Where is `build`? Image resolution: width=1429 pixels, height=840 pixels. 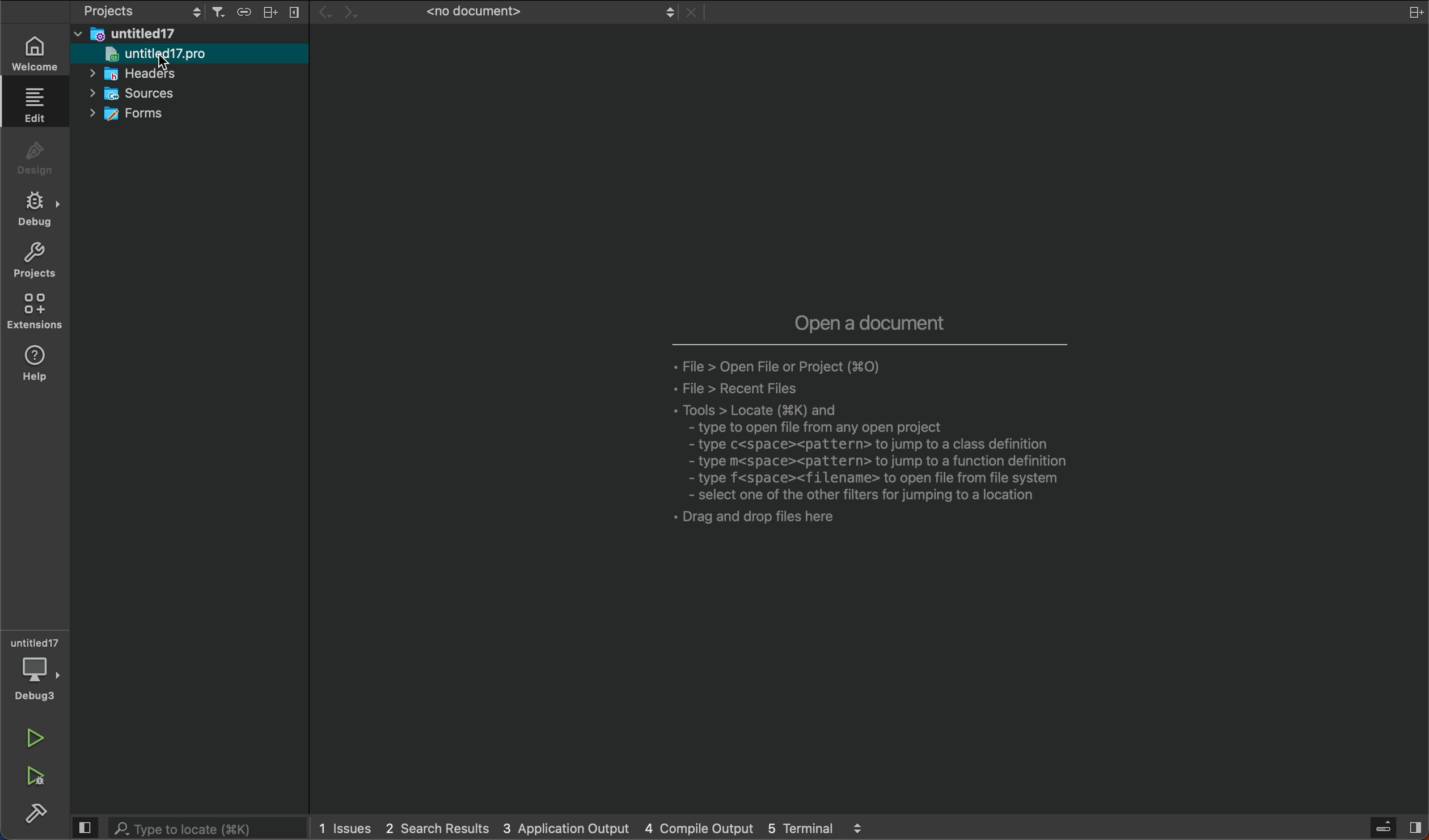 build is located at coordinates (38, 816).